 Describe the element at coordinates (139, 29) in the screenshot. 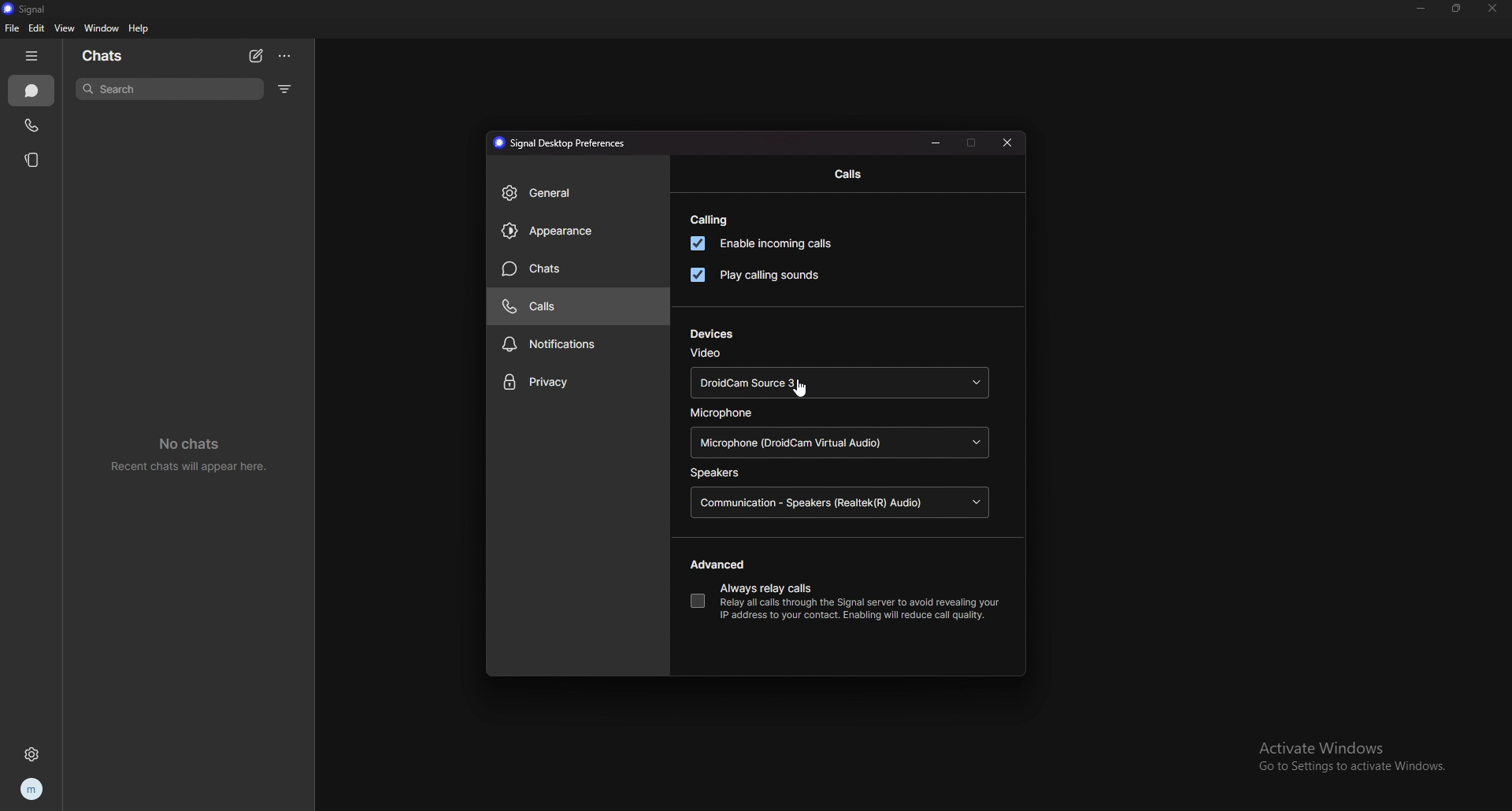

I see `help` at that location.